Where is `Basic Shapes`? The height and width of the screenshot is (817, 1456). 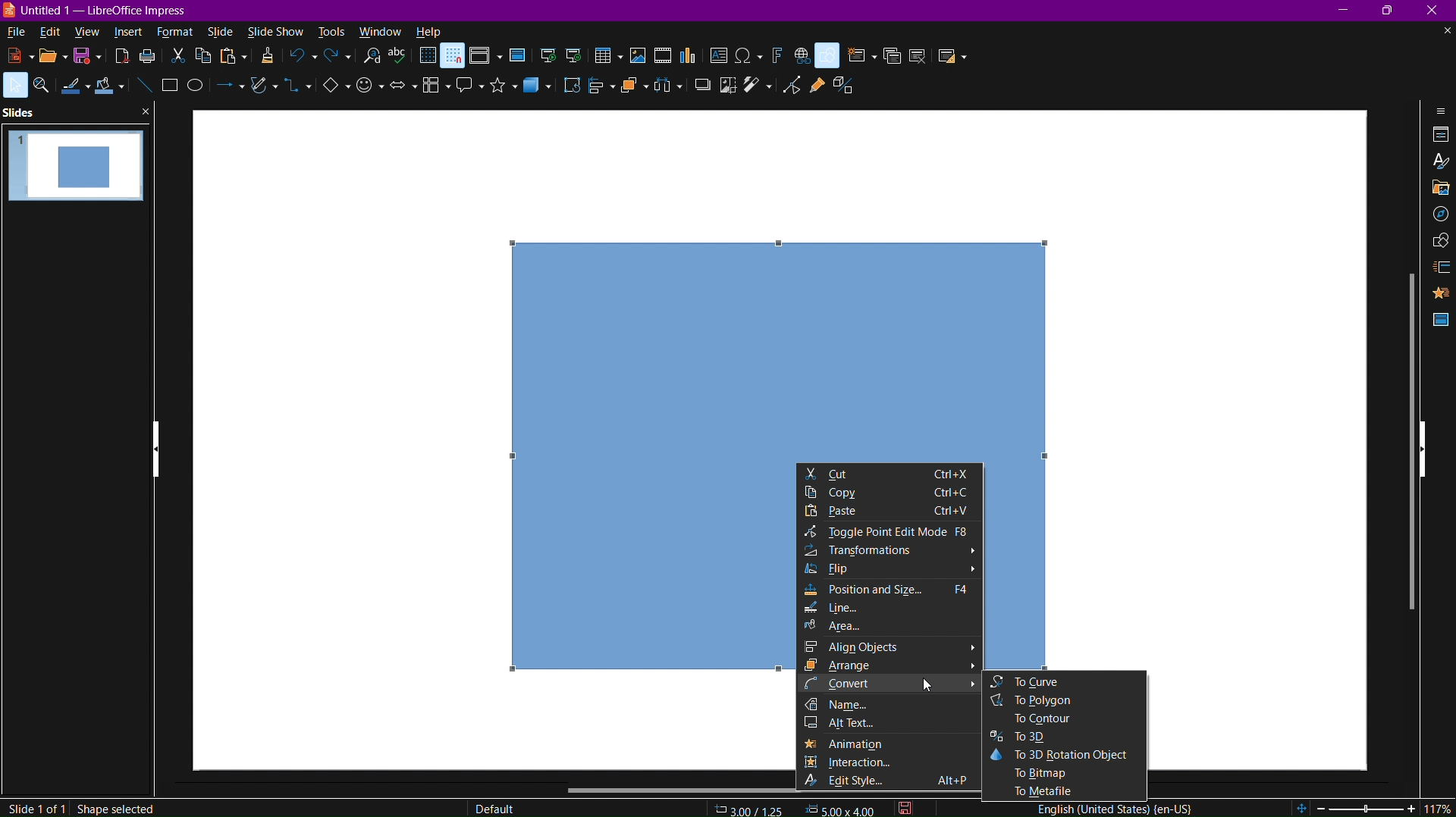 Basic Shapes is located at coordinates (330, 91).